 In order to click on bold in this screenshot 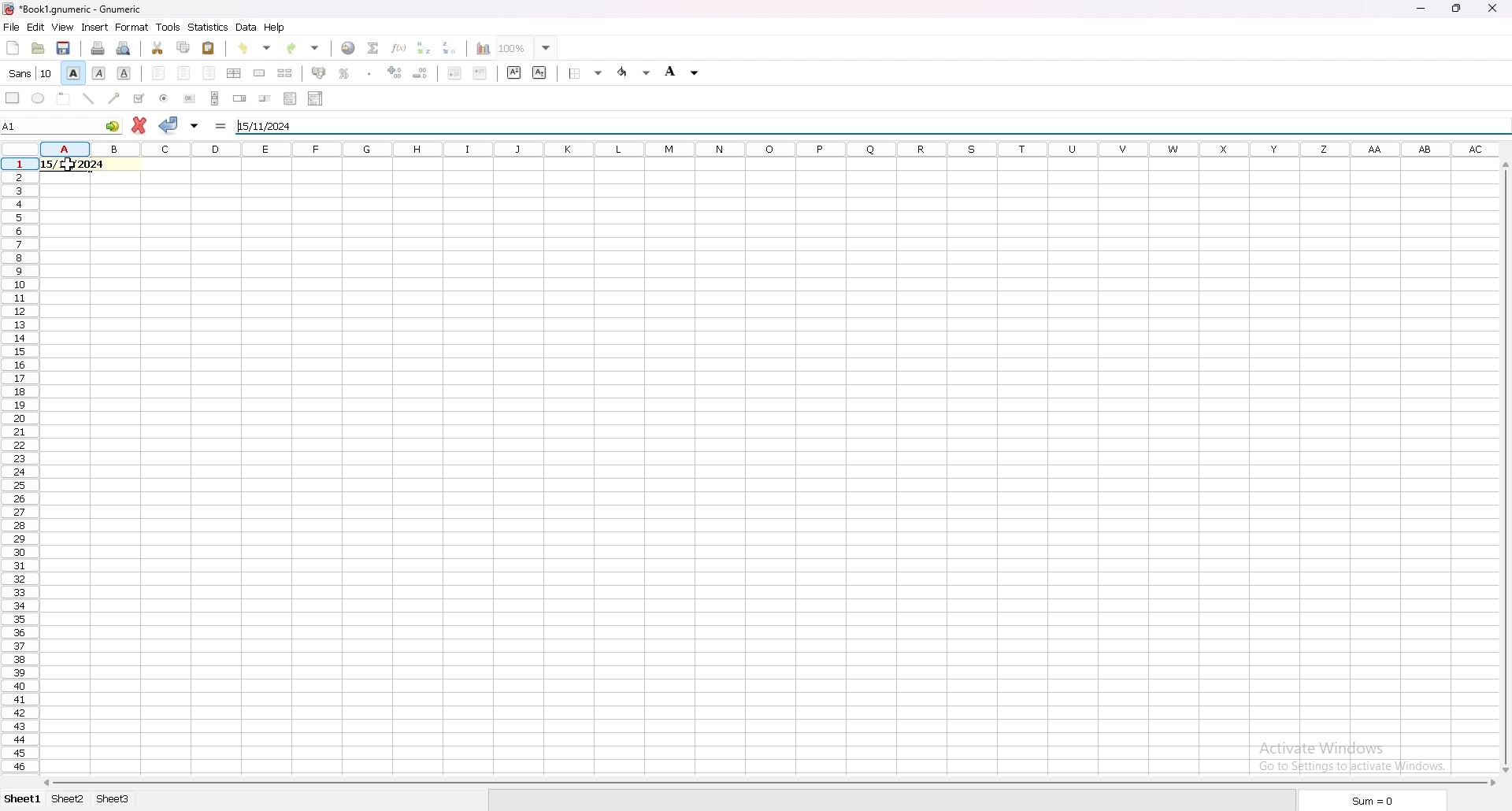, I will do `click(72, 73)`.